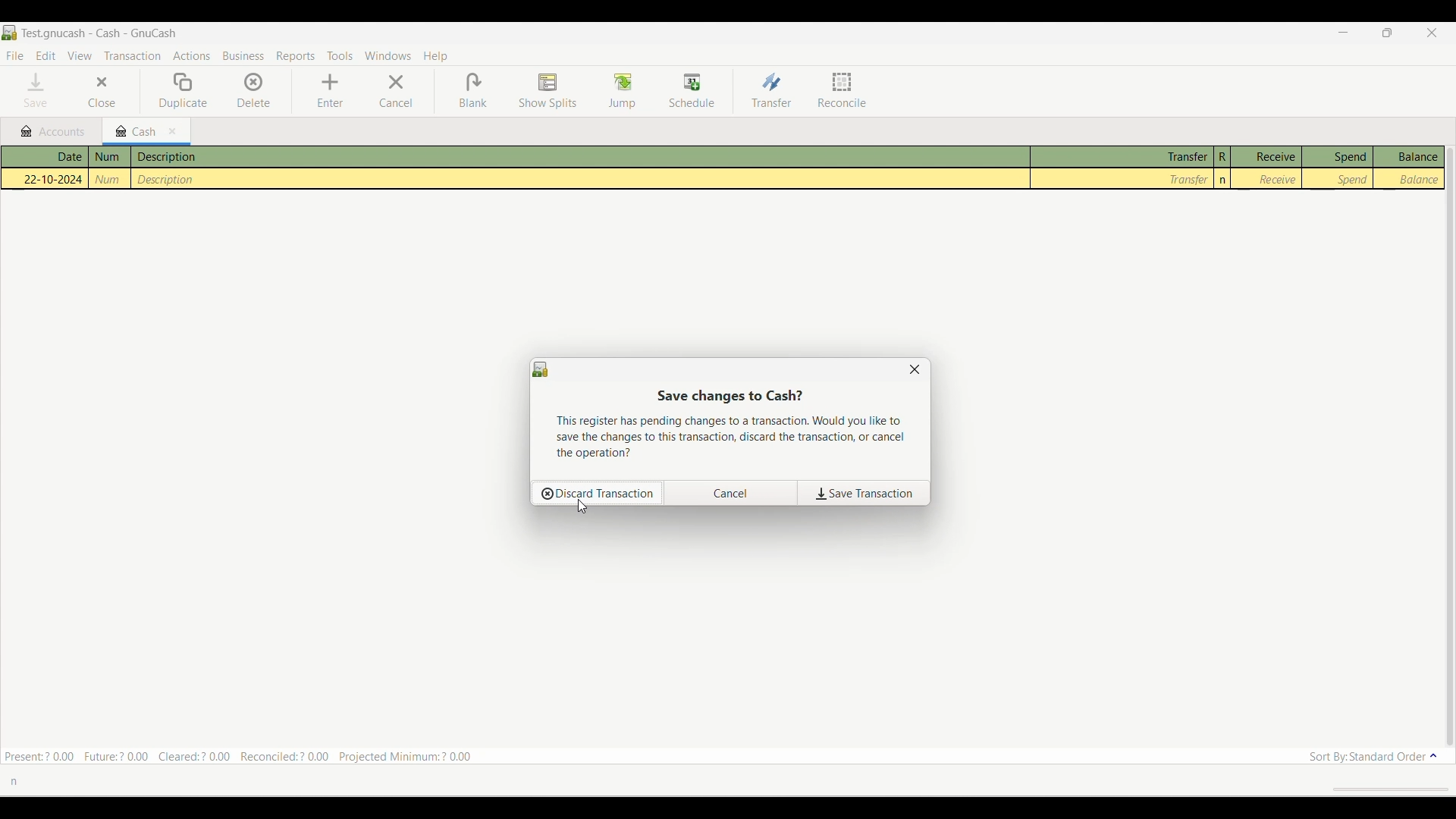 The image size is (1456, 819). What do you see at coordinates (1343, 33) in the screenshot?
I see `Minimize` at bounding box center [1343, 33].